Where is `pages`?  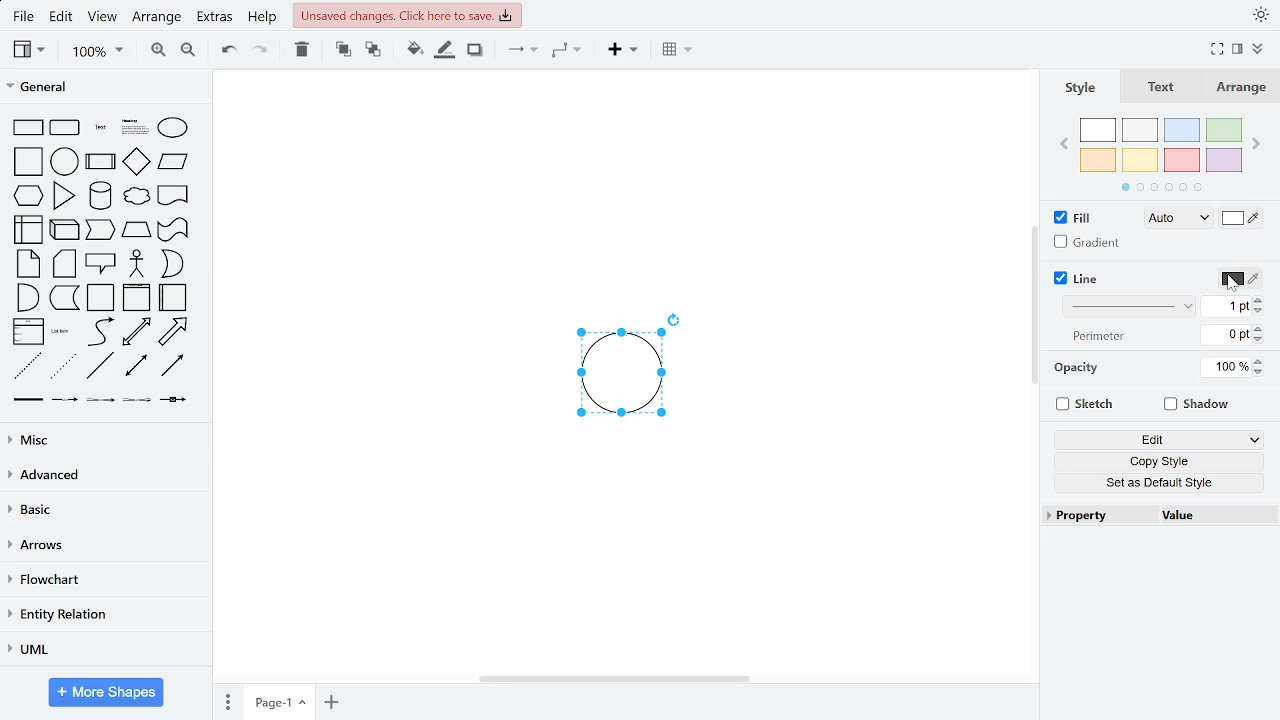
pages is located at coordinates (229, 701).